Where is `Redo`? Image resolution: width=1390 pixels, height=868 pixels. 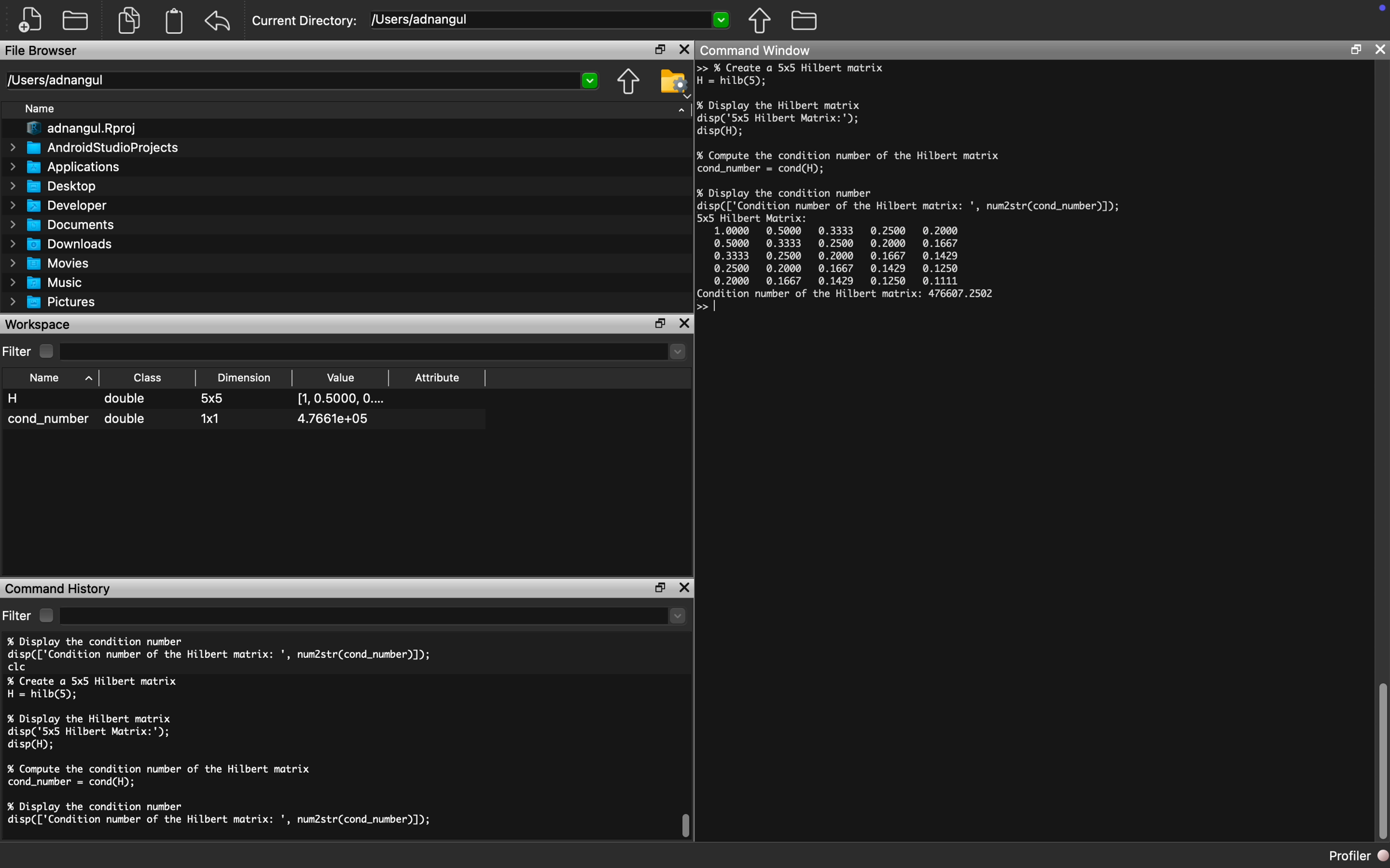 Redo is located at coordinates (219, 21).